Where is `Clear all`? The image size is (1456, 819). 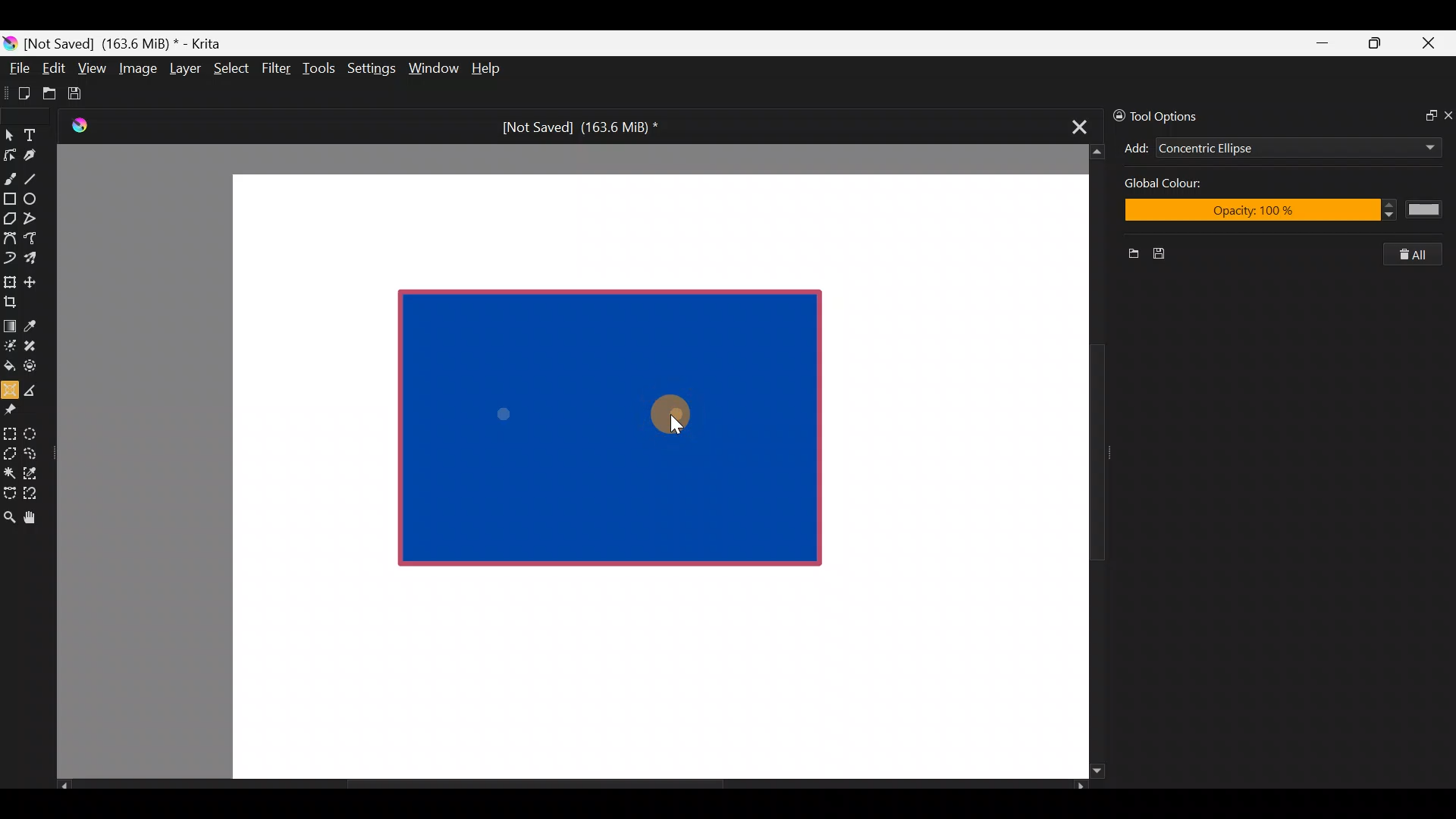 Clear all is located at coordinates (1420, 254).